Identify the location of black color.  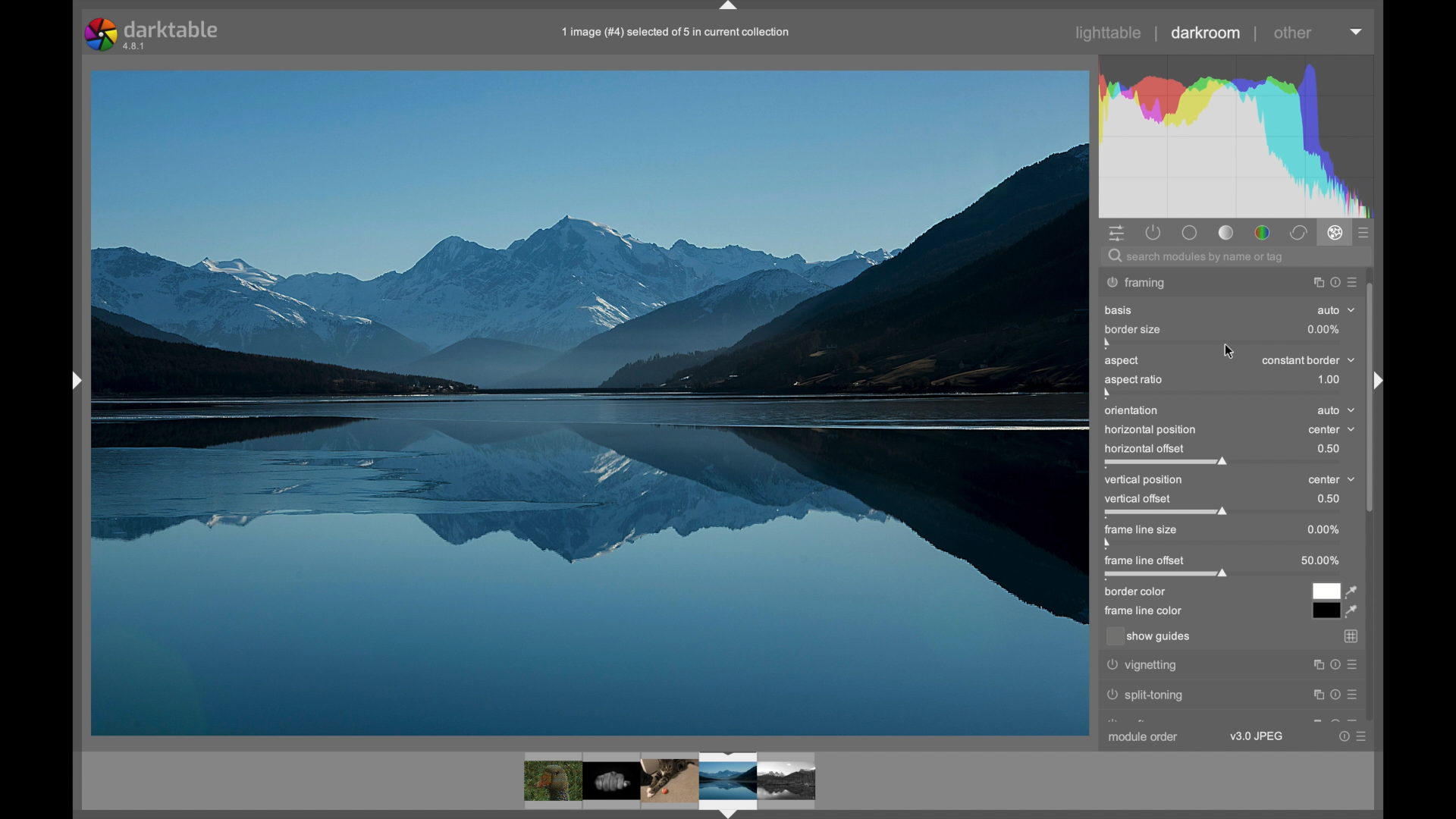
(1324, 611).